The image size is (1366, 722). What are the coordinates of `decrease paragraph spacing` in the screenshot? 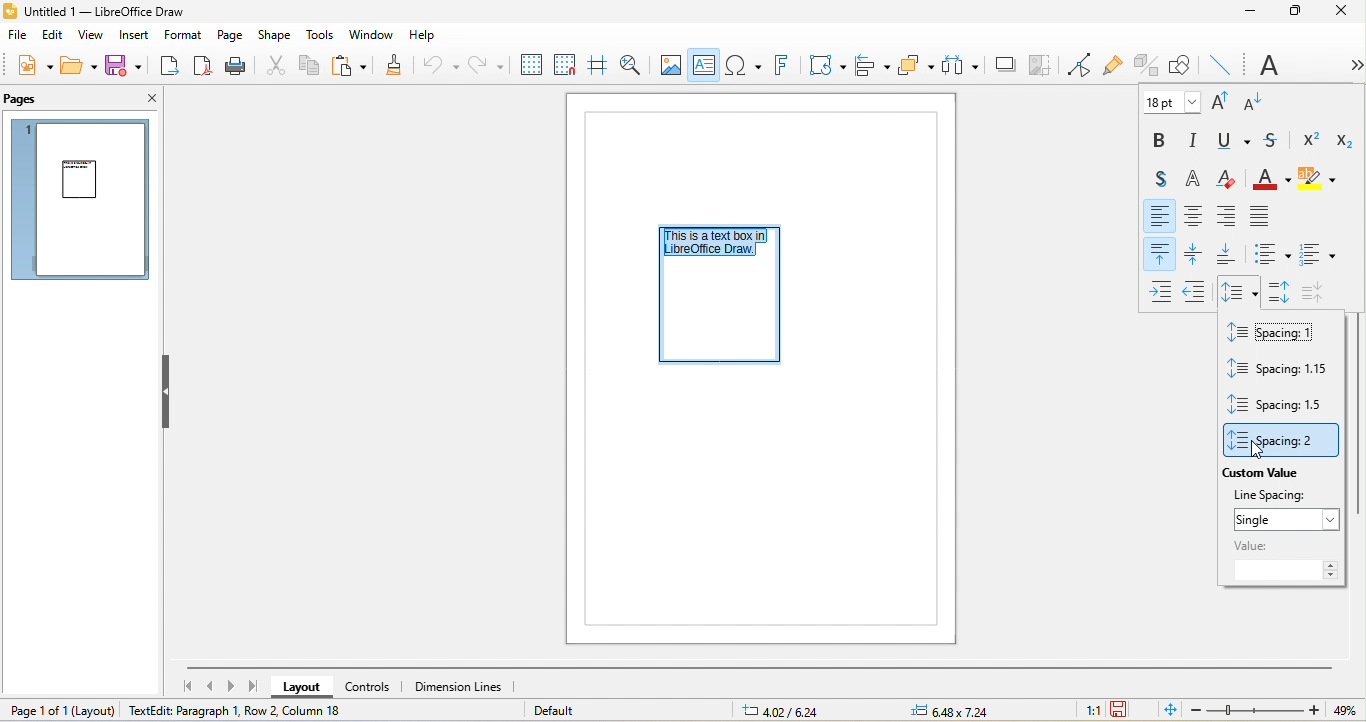 It's located at (1315, 285).